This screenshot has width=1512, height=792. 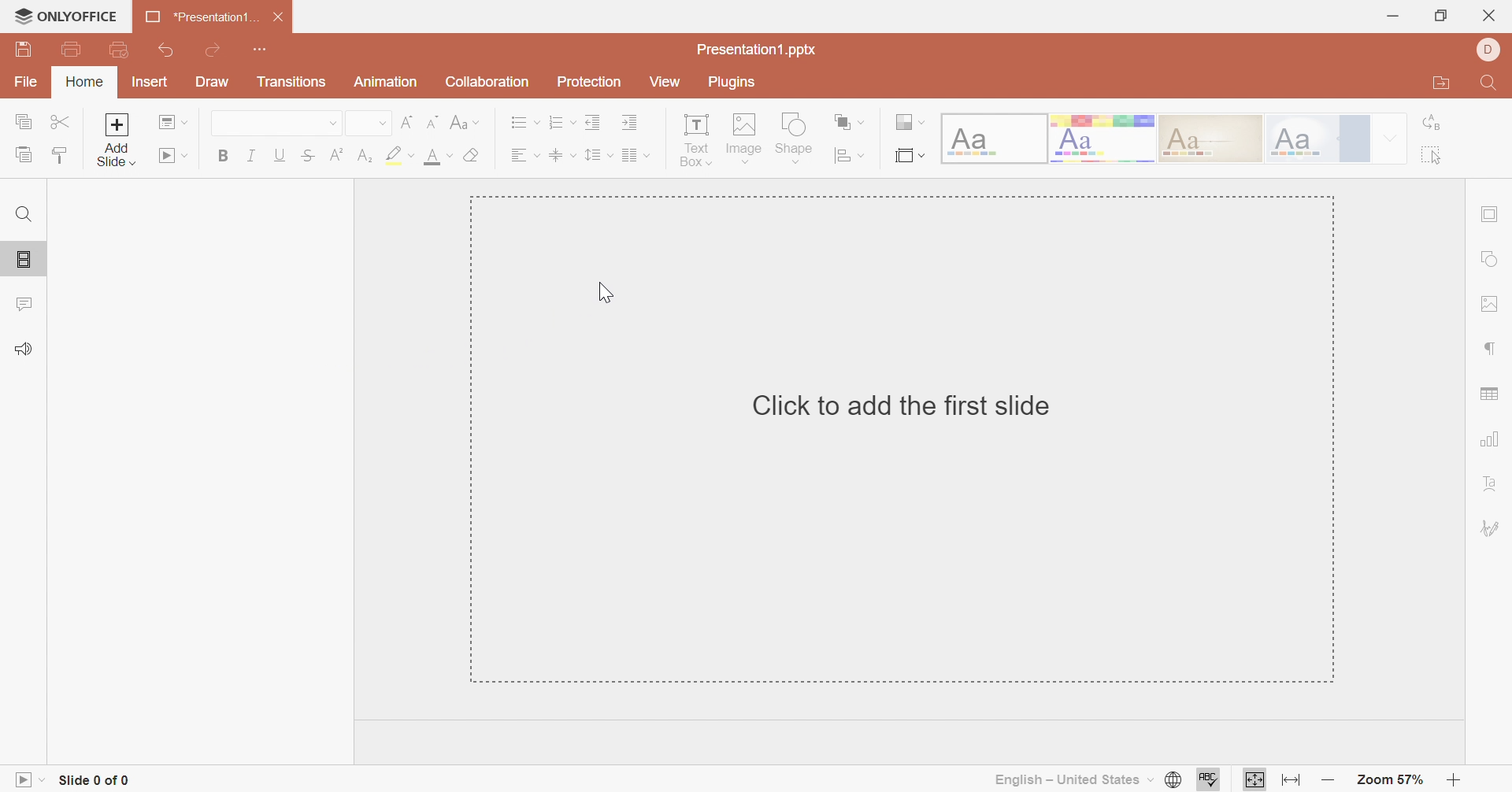 I want to click on Image, so click(x=743, y=139).